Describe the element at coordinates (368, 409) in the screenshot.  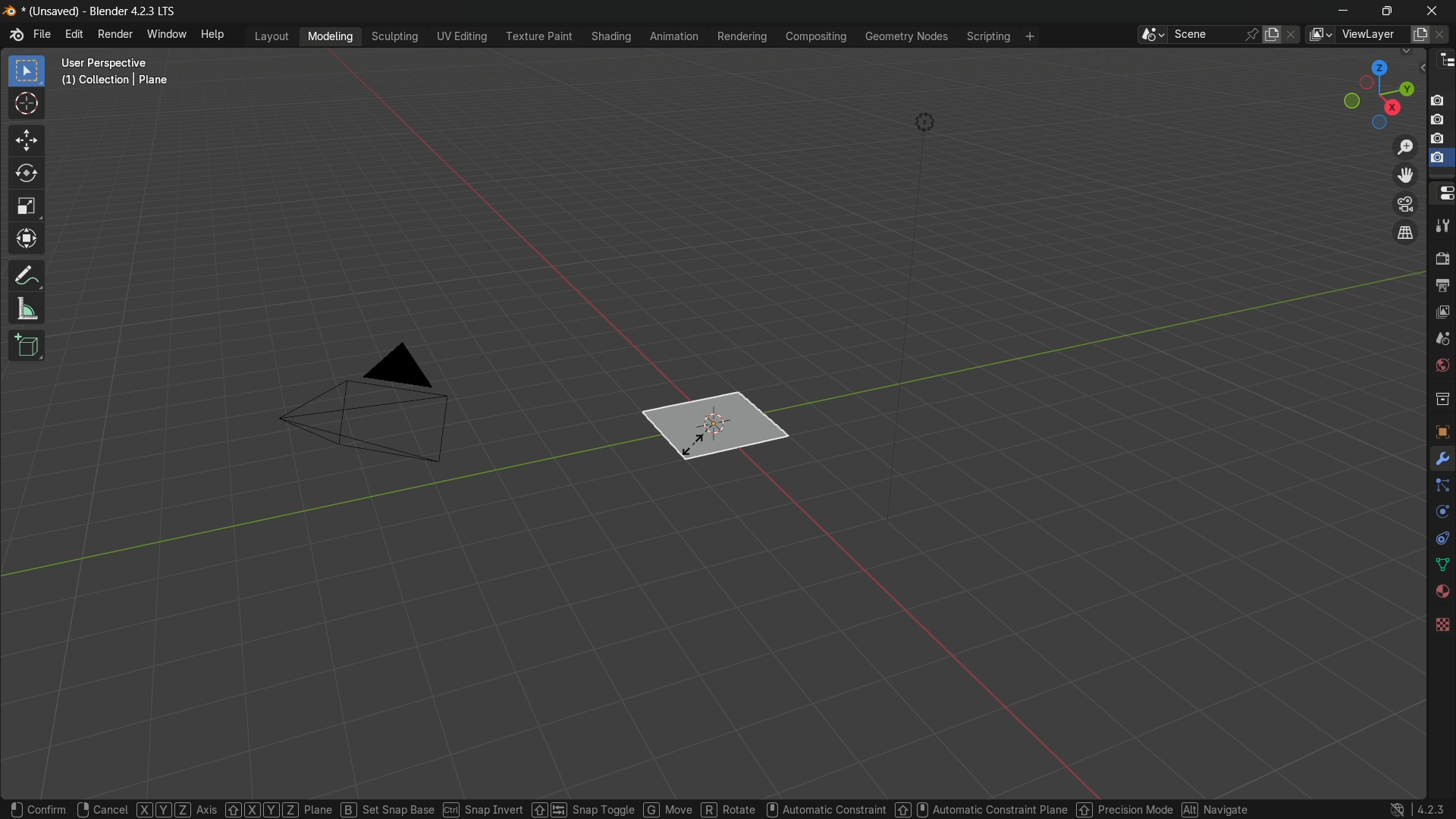
I see `camera` at that location.